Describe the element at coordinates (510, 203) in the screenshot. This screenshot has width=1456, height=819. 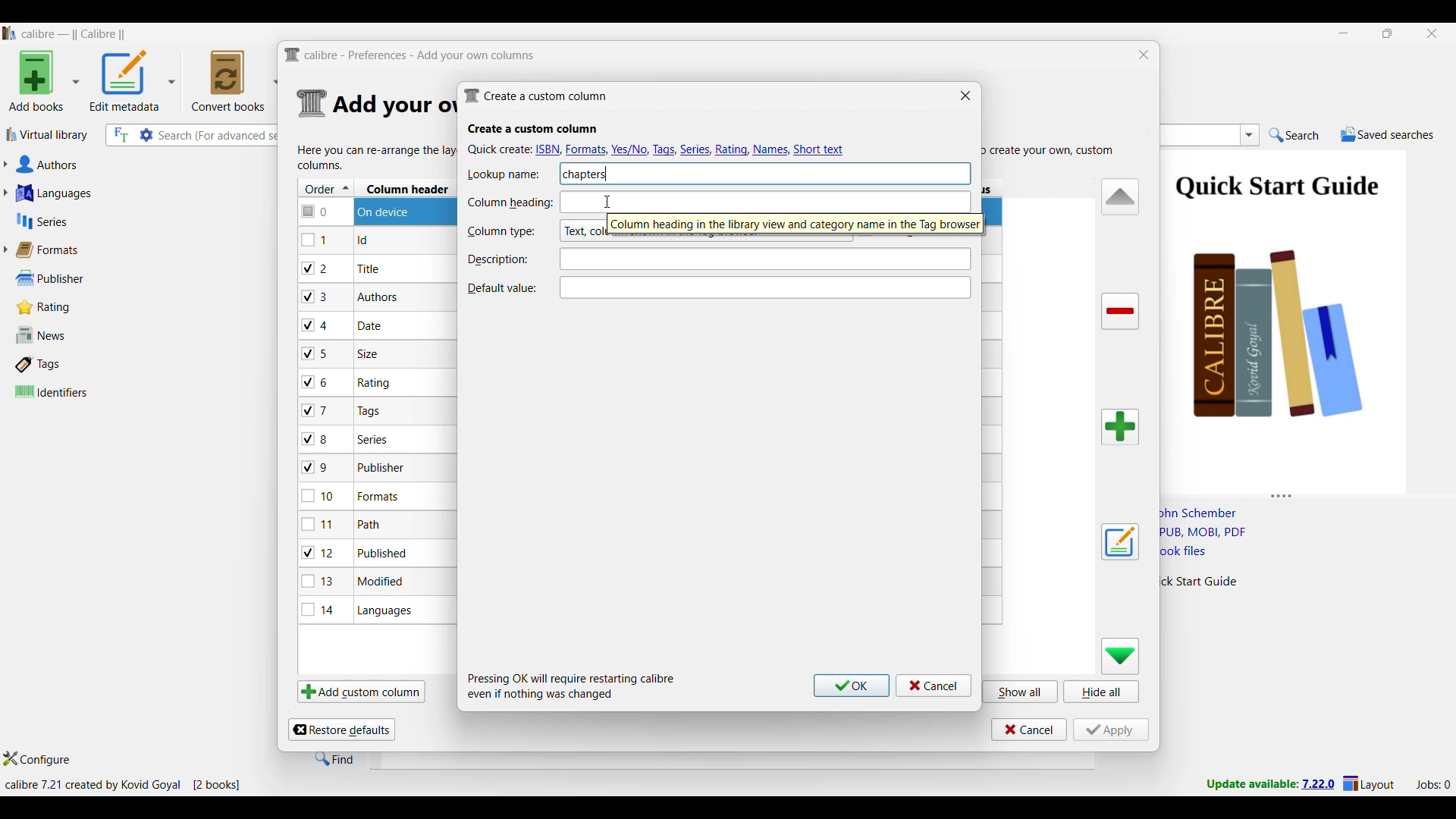
I see `Indicates Column heading text box` at that location.